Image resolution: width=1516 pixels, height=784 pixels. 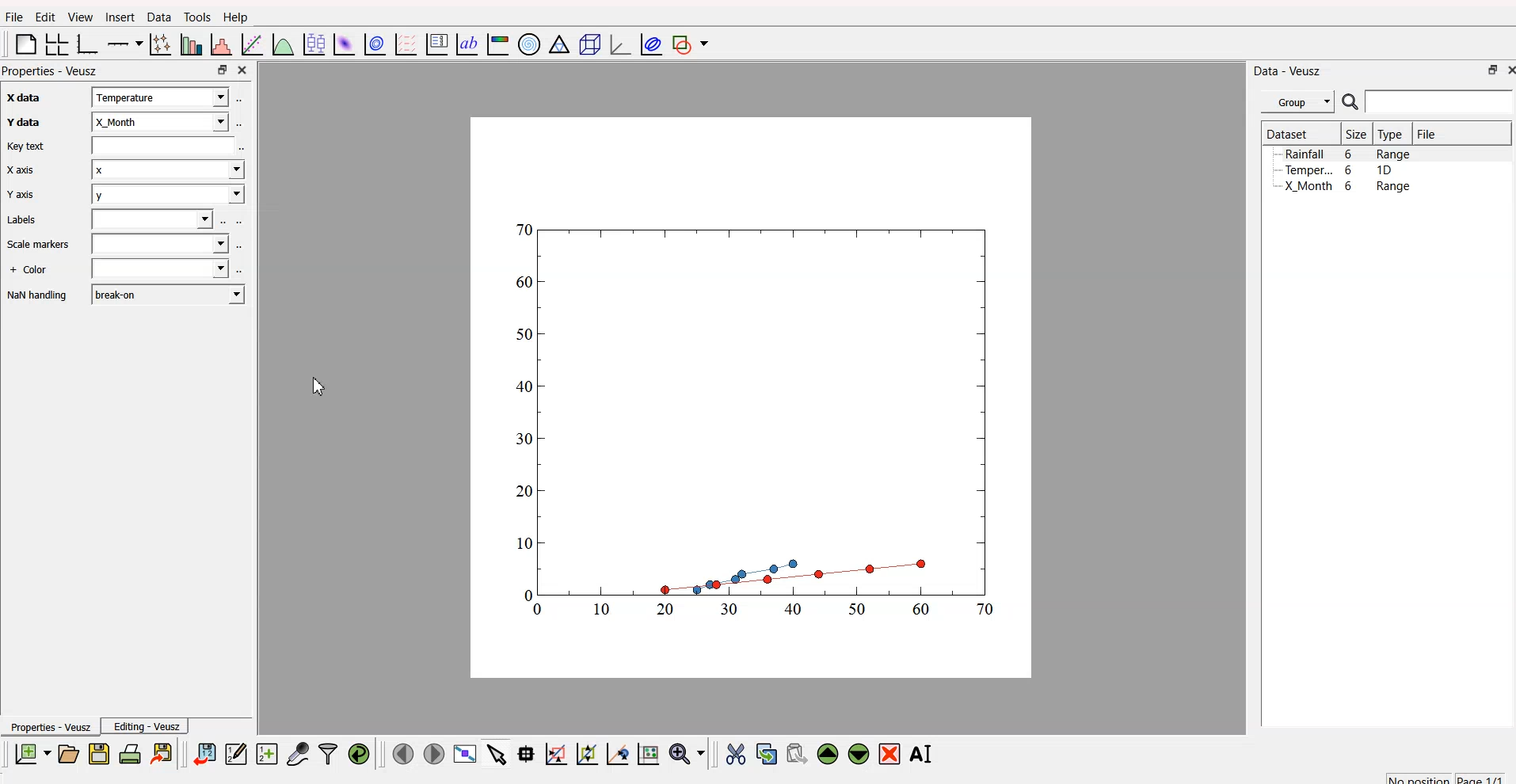 I want to click on histogram of dataset, so click(x=223, y=45).